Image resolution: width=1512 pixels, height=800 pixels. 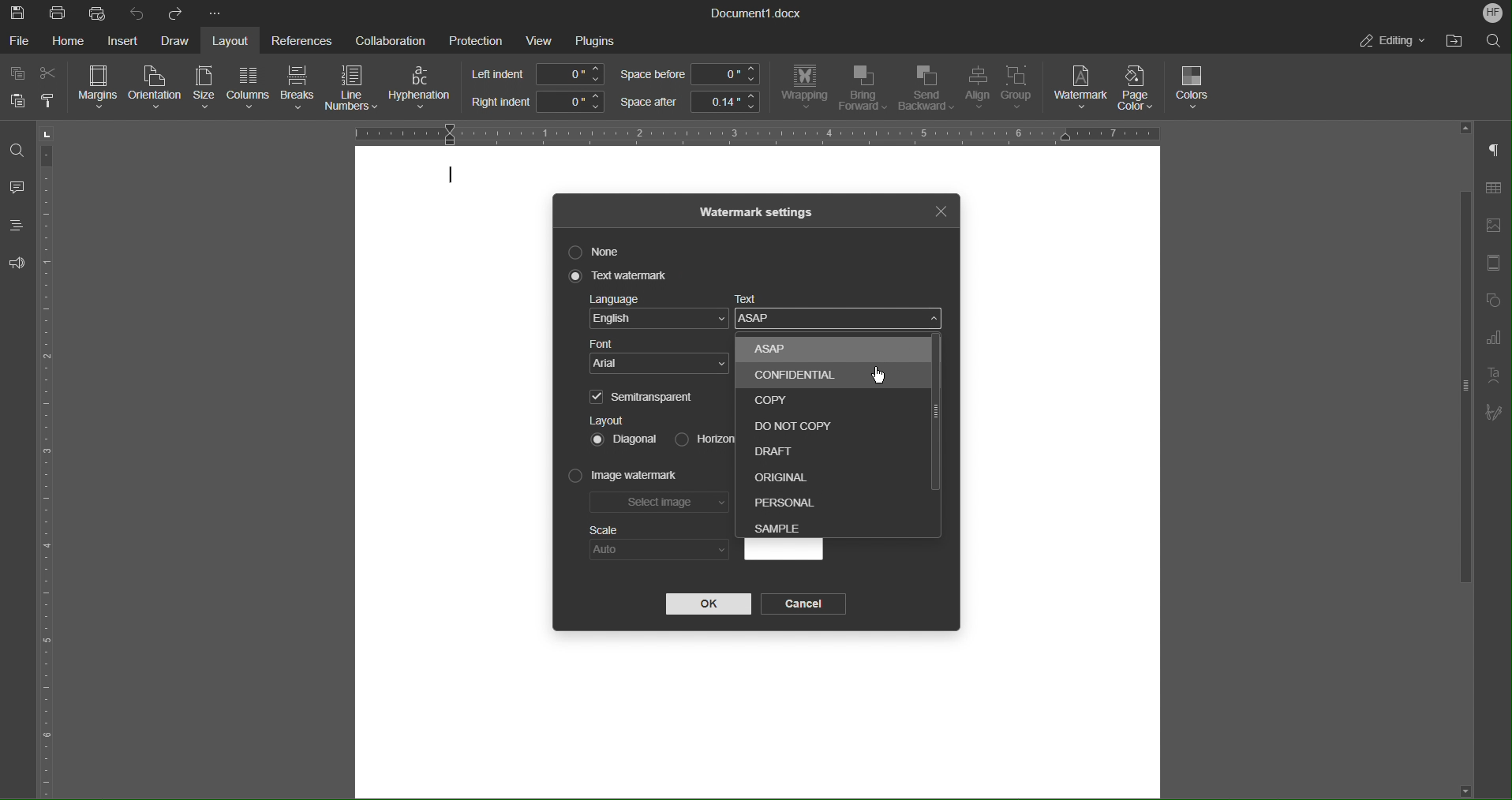 What do you see at coordinates (1493, 191) in the screenshot?
I see `Table` at bounding box center [1493, 191].